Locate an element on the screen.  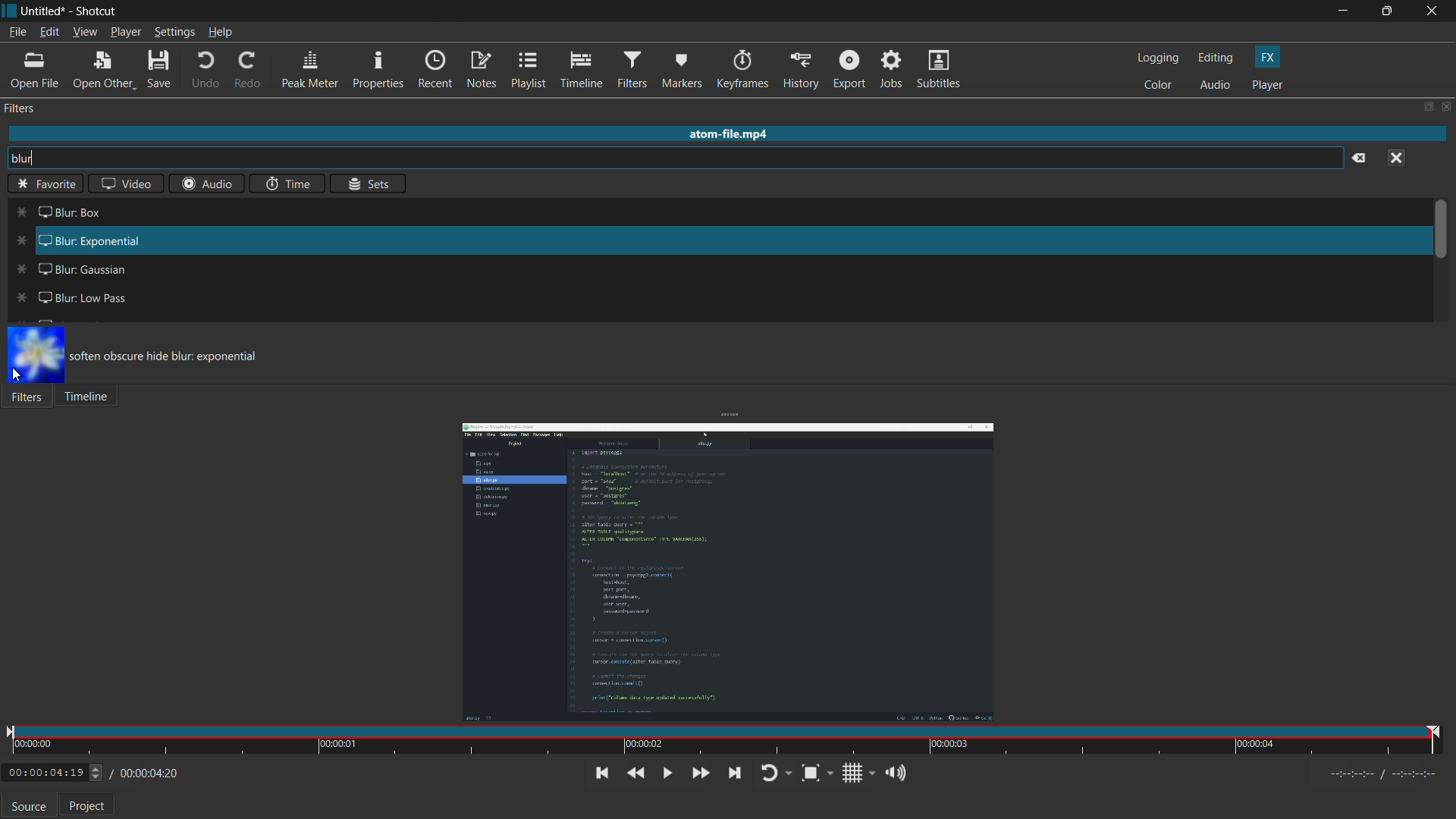
open other is located at coordinates (102, 73).